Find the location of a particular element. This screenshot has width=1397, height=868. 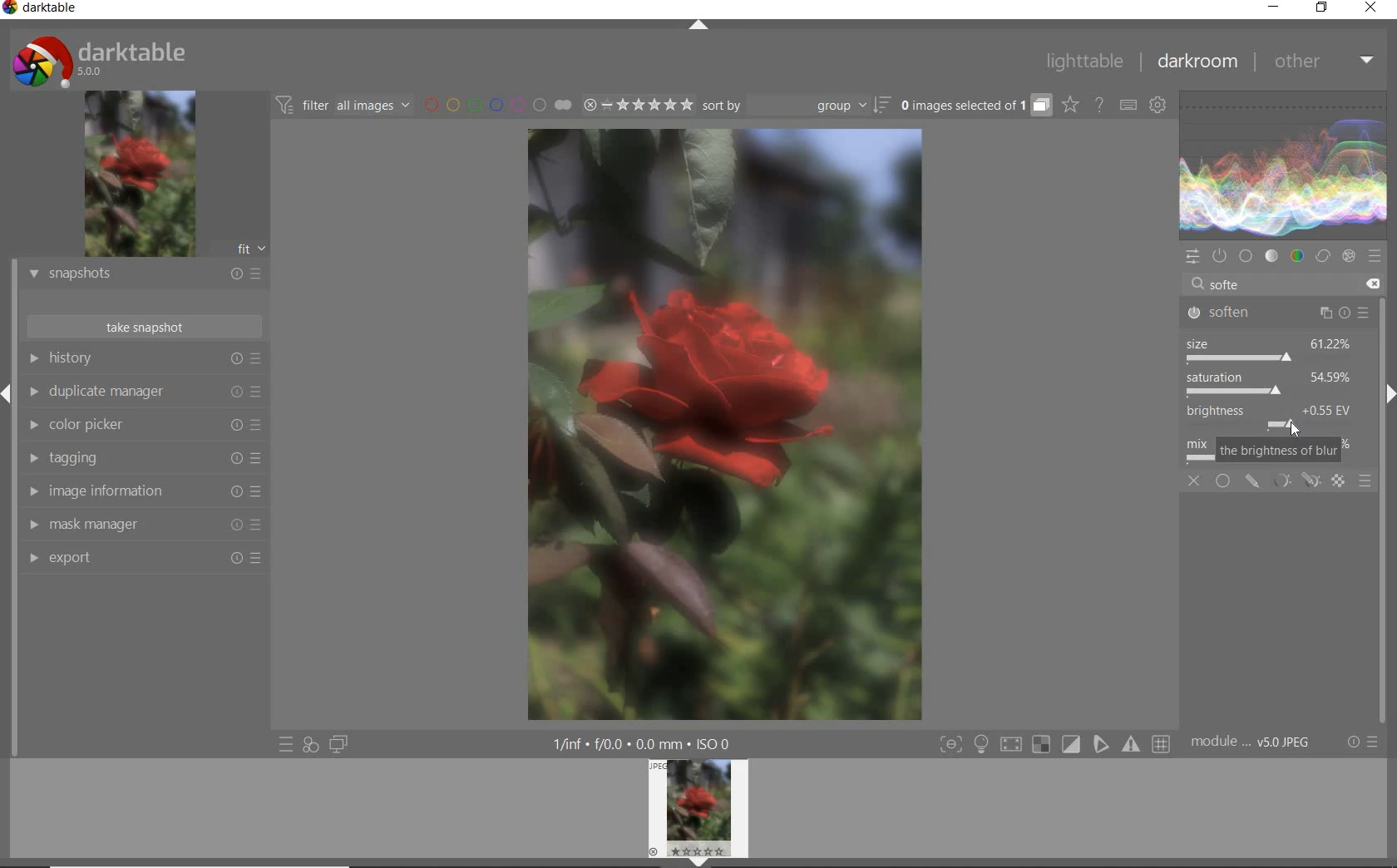

presets is located at coordinates (1374, 254).